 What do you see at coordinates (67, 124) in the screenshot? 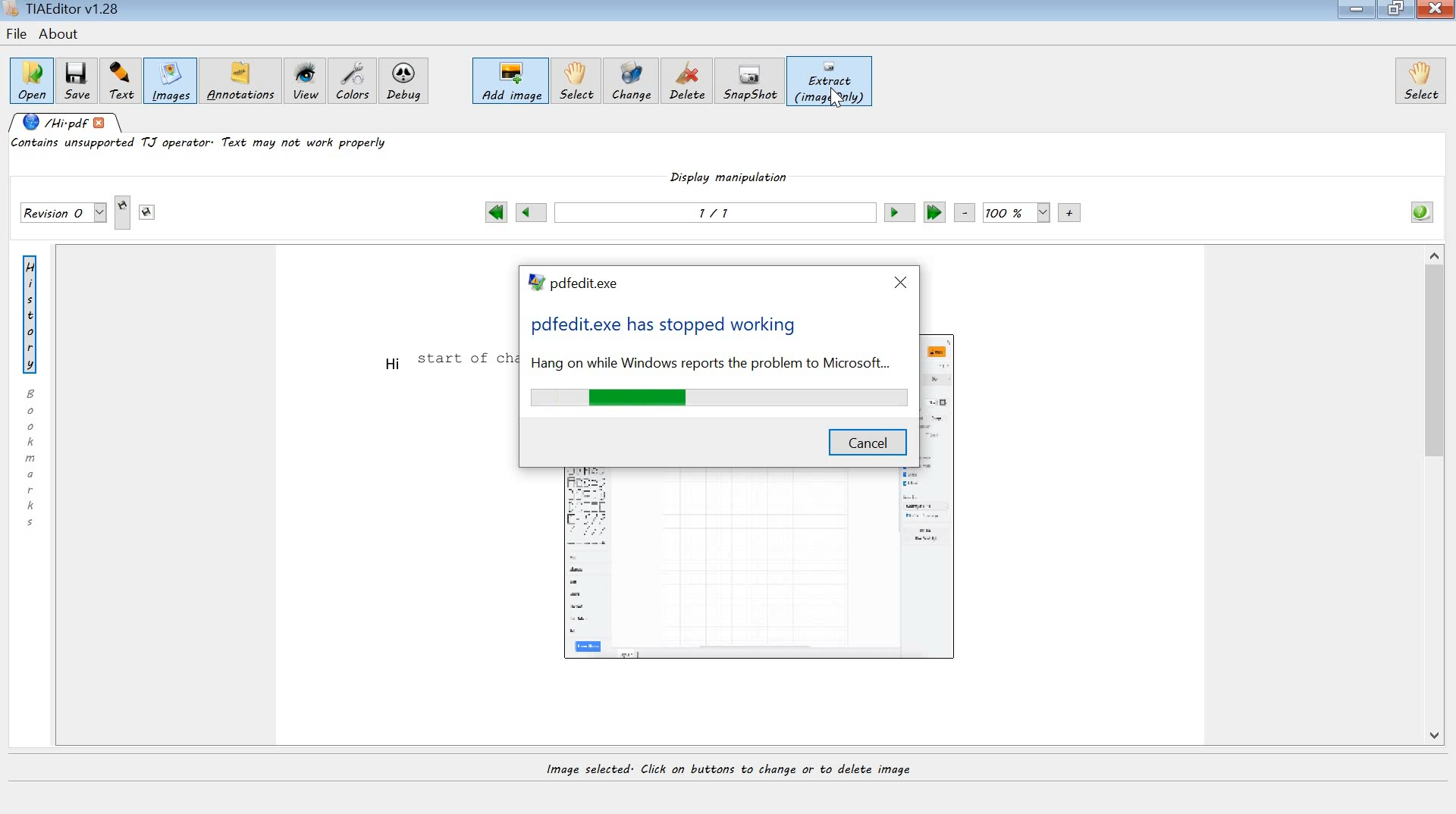
I see `opened pdf` at bounding box center [67, 124].